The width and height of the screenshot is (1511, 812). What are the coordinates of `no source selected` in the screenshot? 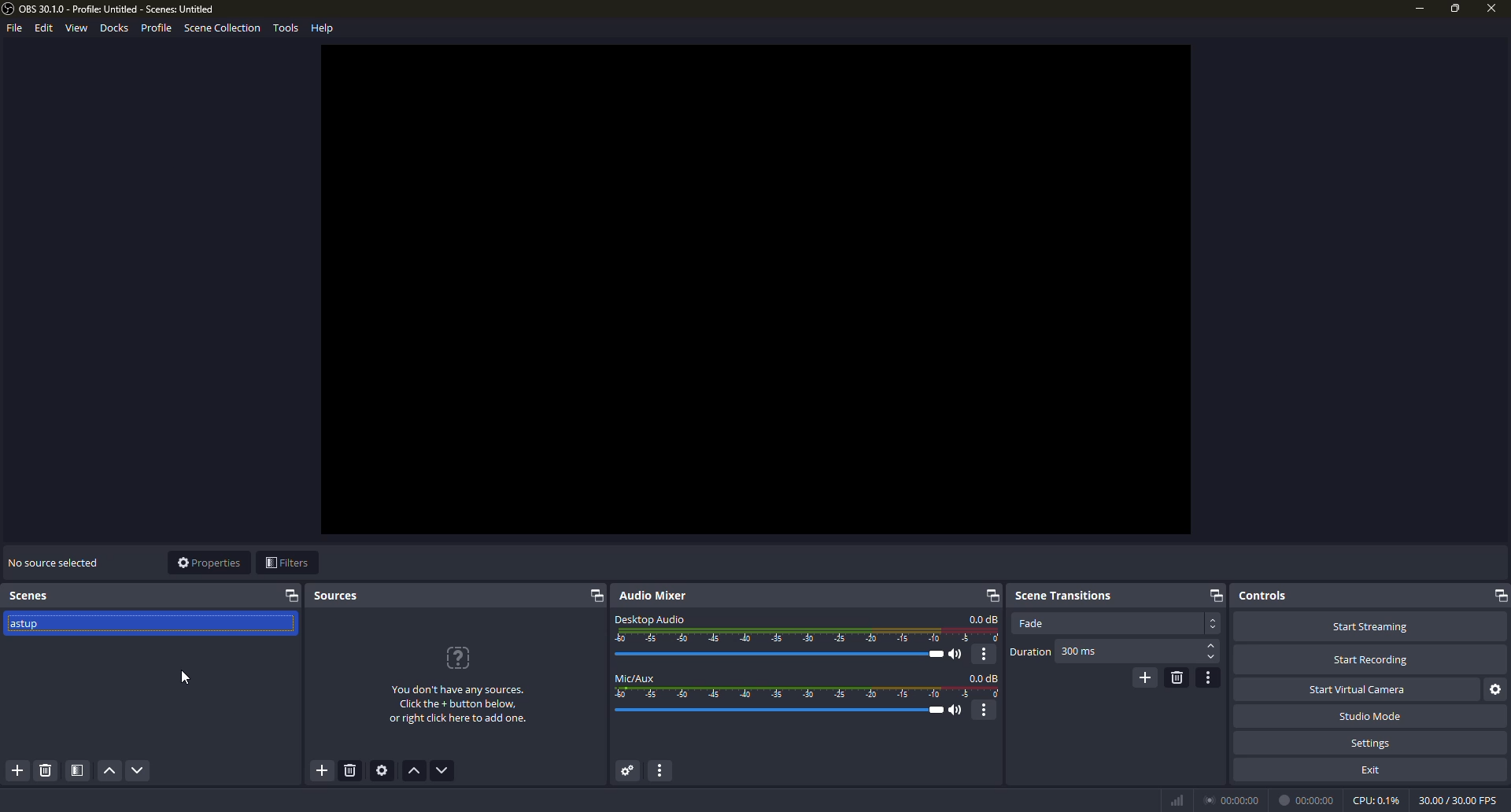 It's located at (53, 561).